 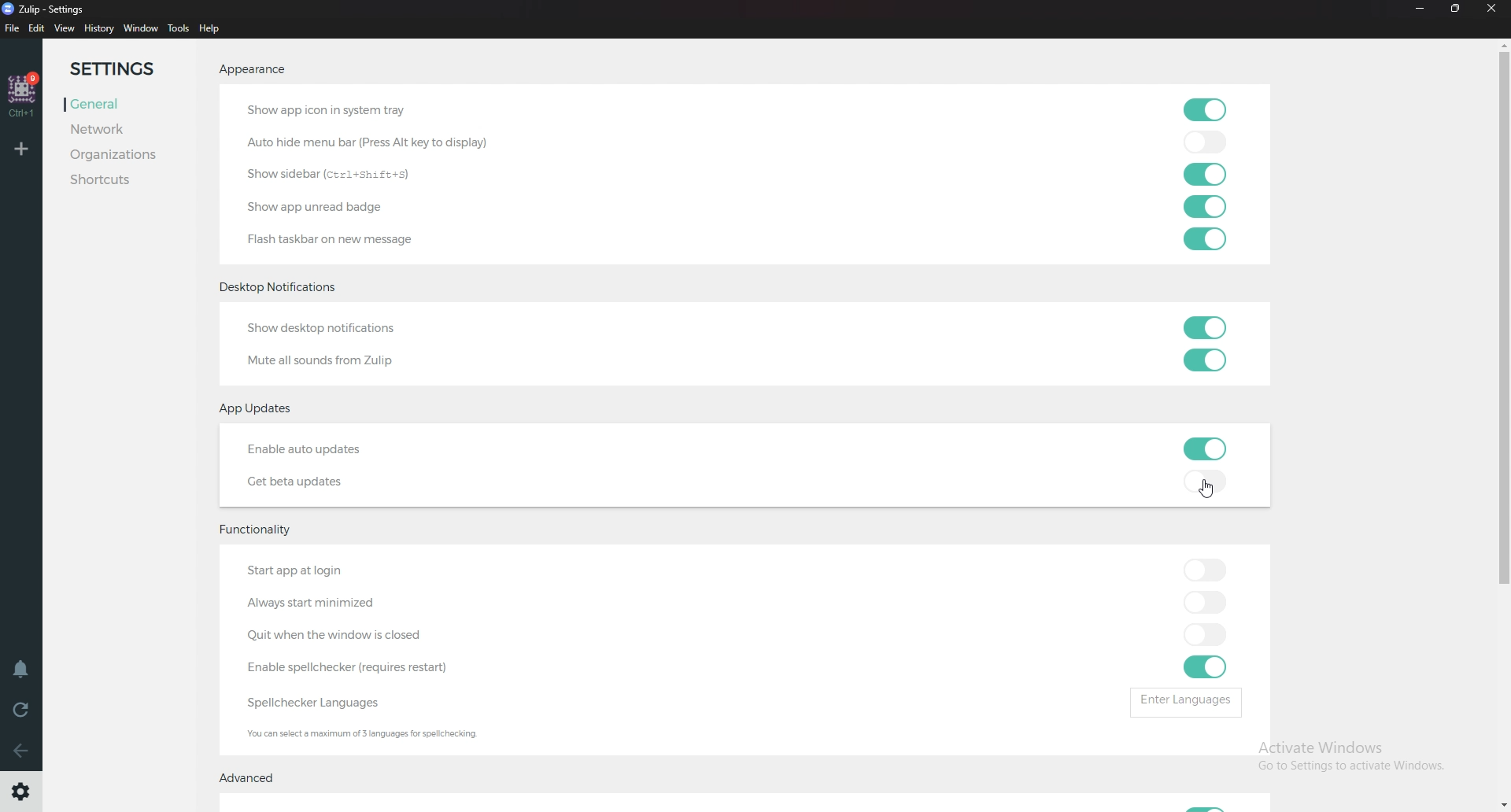 I want to click on Organizations, so click(x=128, y=154).